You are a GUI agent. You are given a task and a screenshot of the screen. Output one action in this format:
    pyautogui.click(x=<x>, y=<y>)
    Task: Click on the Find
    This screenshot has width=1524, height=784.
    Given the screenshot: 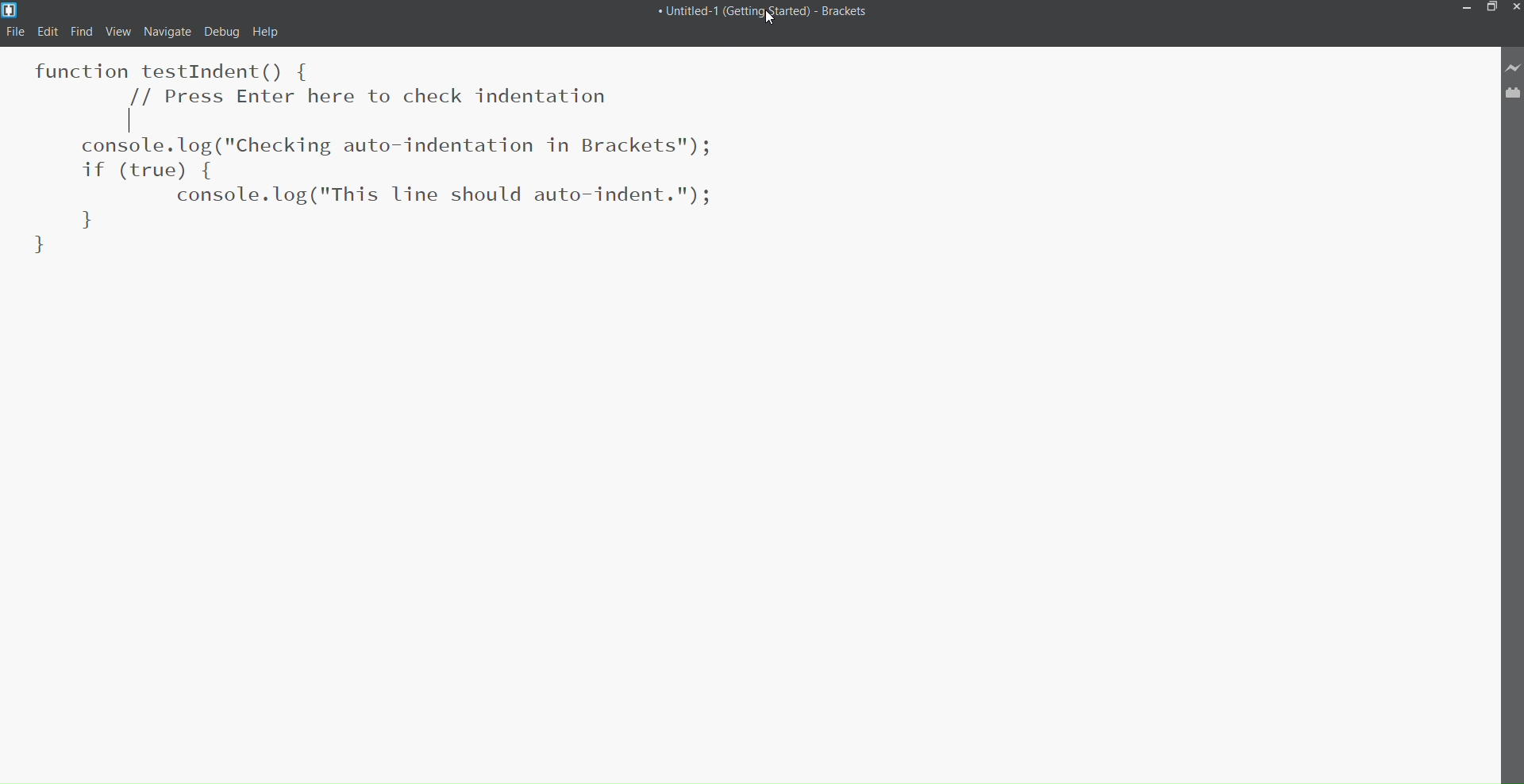 What is the action you would take?
    pyautogui.click(x=79, y=31)
    